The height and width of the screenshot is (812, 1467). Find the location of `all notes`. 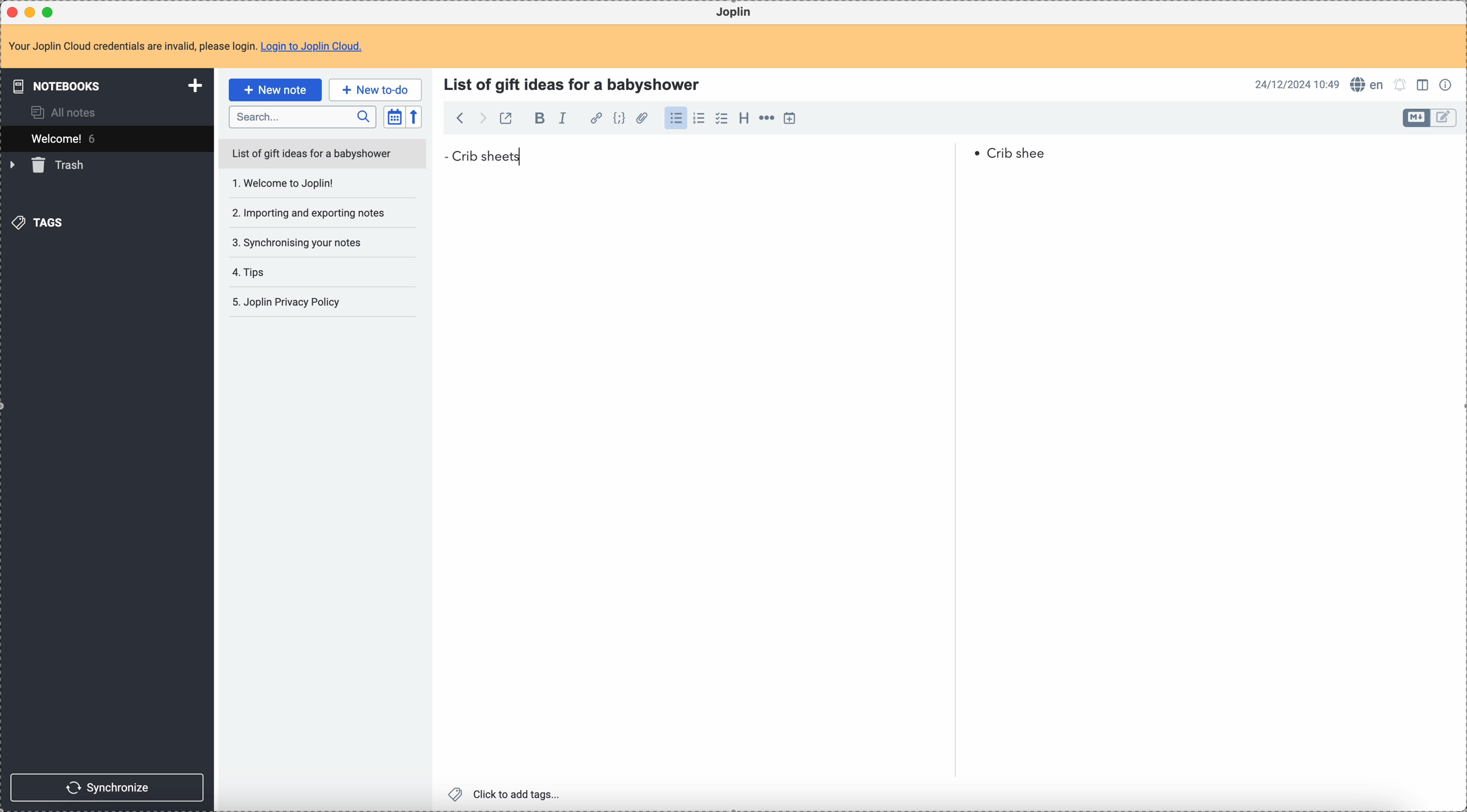

all notes is located at coordinates (65, 112).